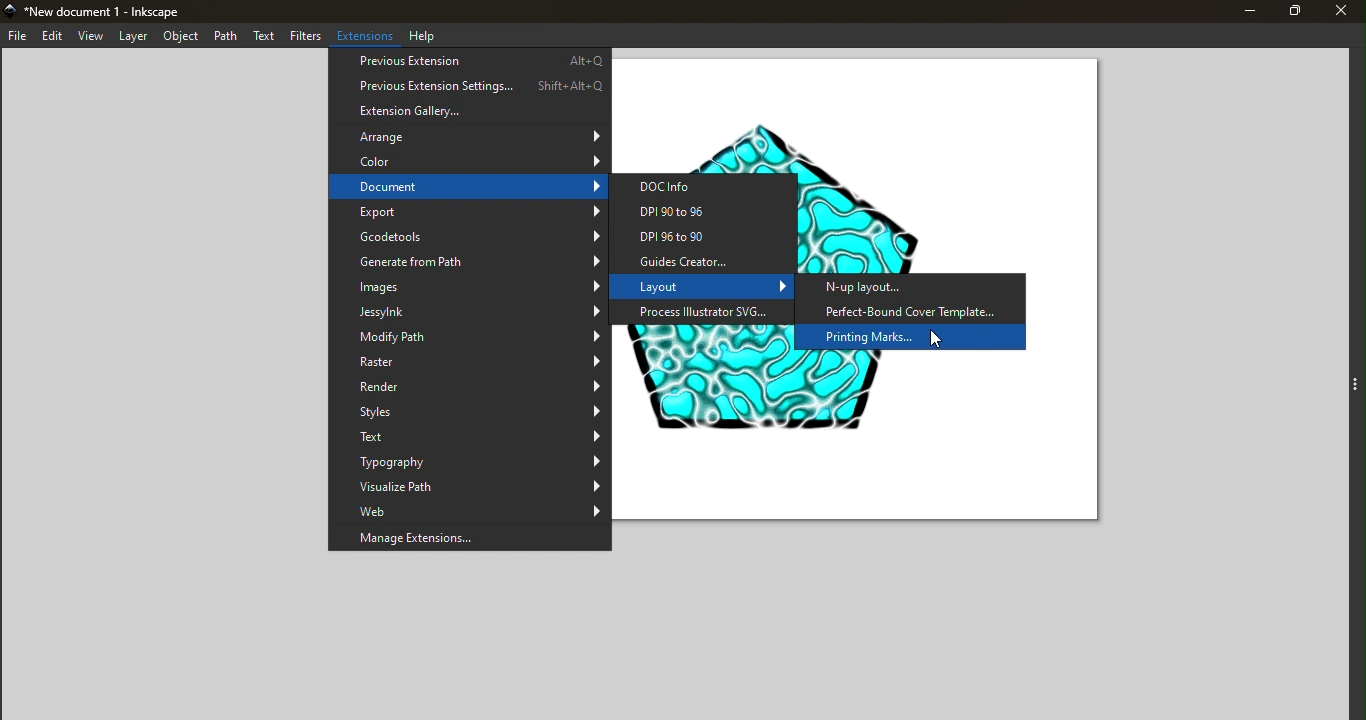 This screenshot has width=1366, height=720. Describe the element at coordinates (469, 60) in the screenshot. I see `Previous Extension` at that location.